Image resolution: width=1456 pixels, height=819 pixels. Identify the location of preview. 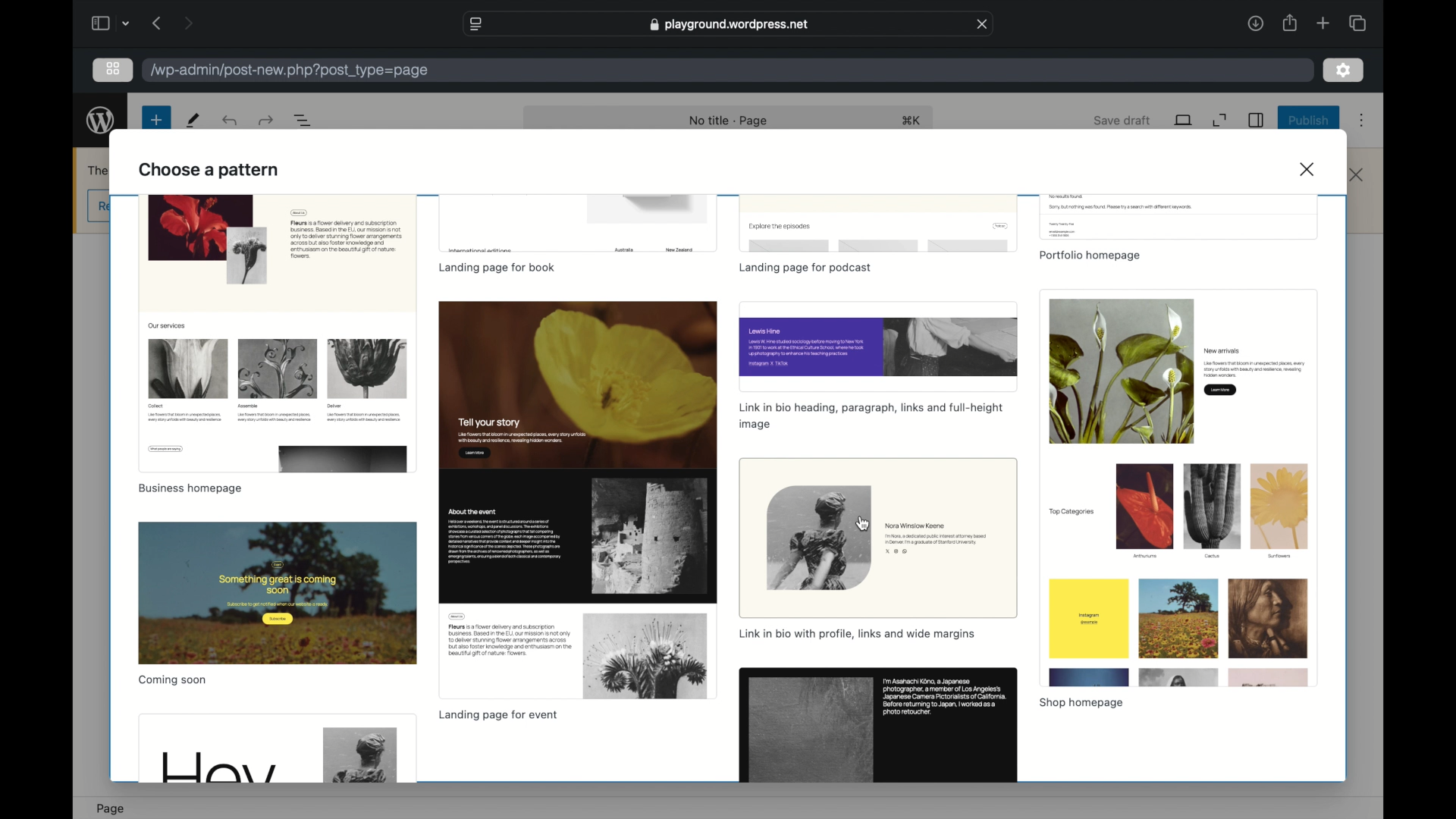
(878, 224).